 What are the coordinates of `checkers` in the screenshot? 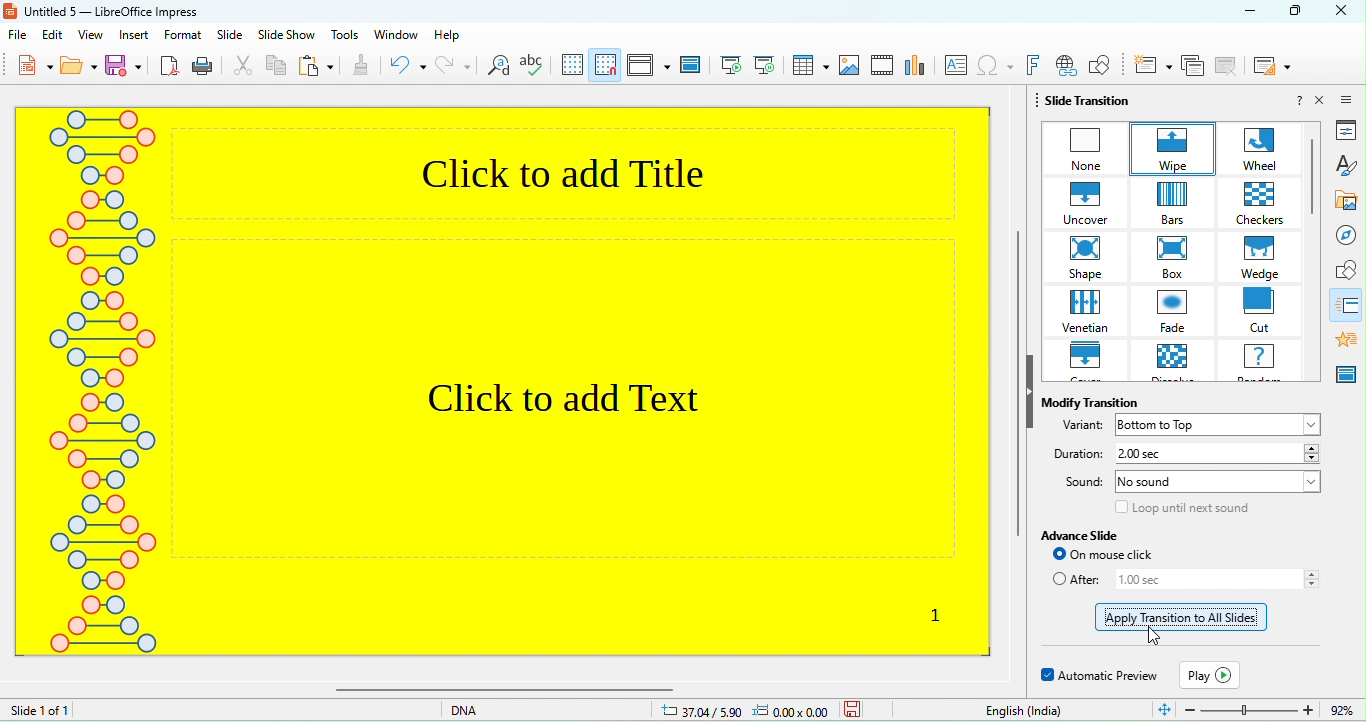 It's located at (1267, 202).